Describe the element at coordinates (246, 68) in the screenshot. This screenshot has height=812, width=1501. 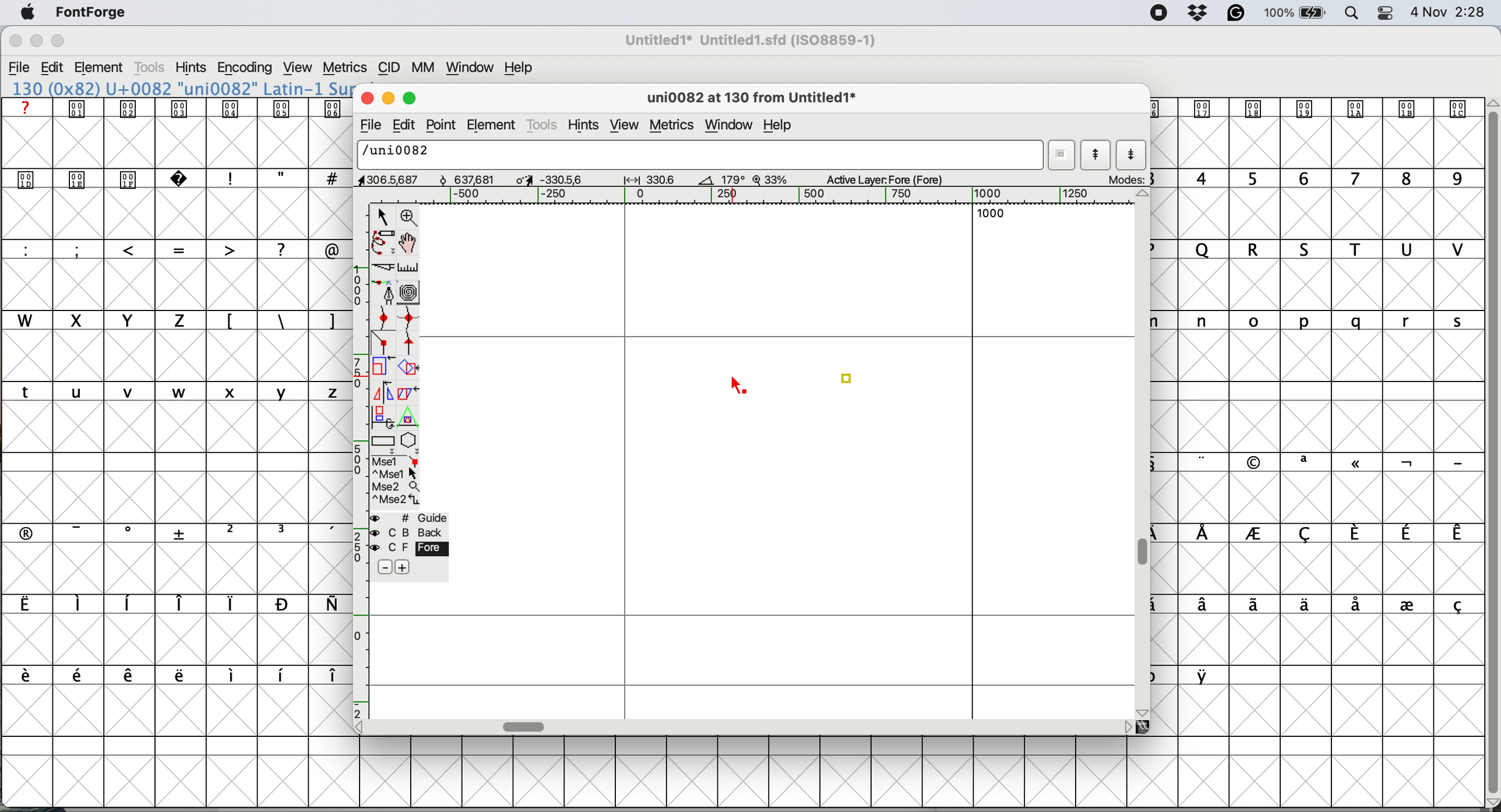
I see `encoding` at that location.